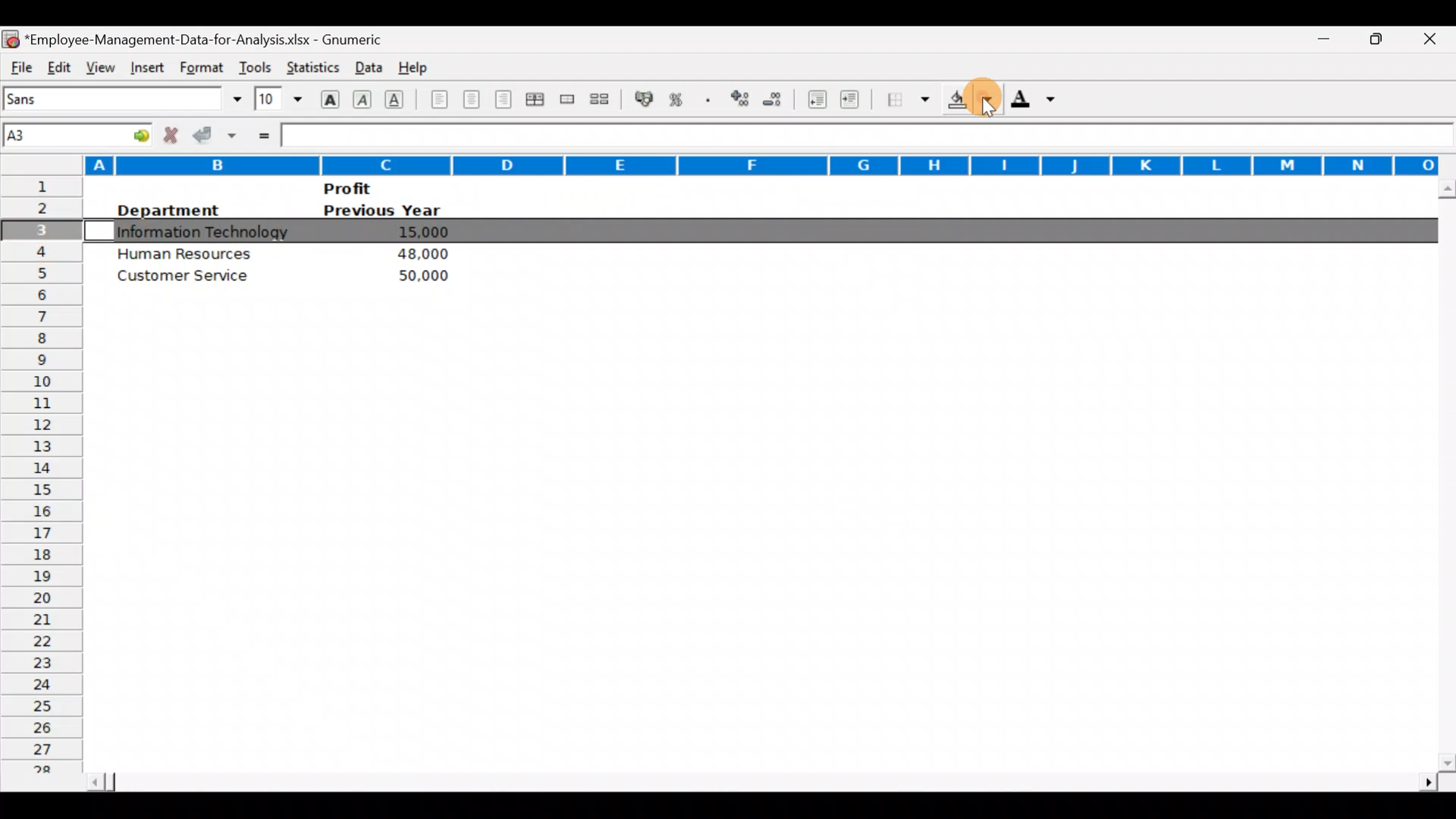 Image resolution: width=1456 pixels, height=819 pixels. I want to click on Profit, so click(376, 188).